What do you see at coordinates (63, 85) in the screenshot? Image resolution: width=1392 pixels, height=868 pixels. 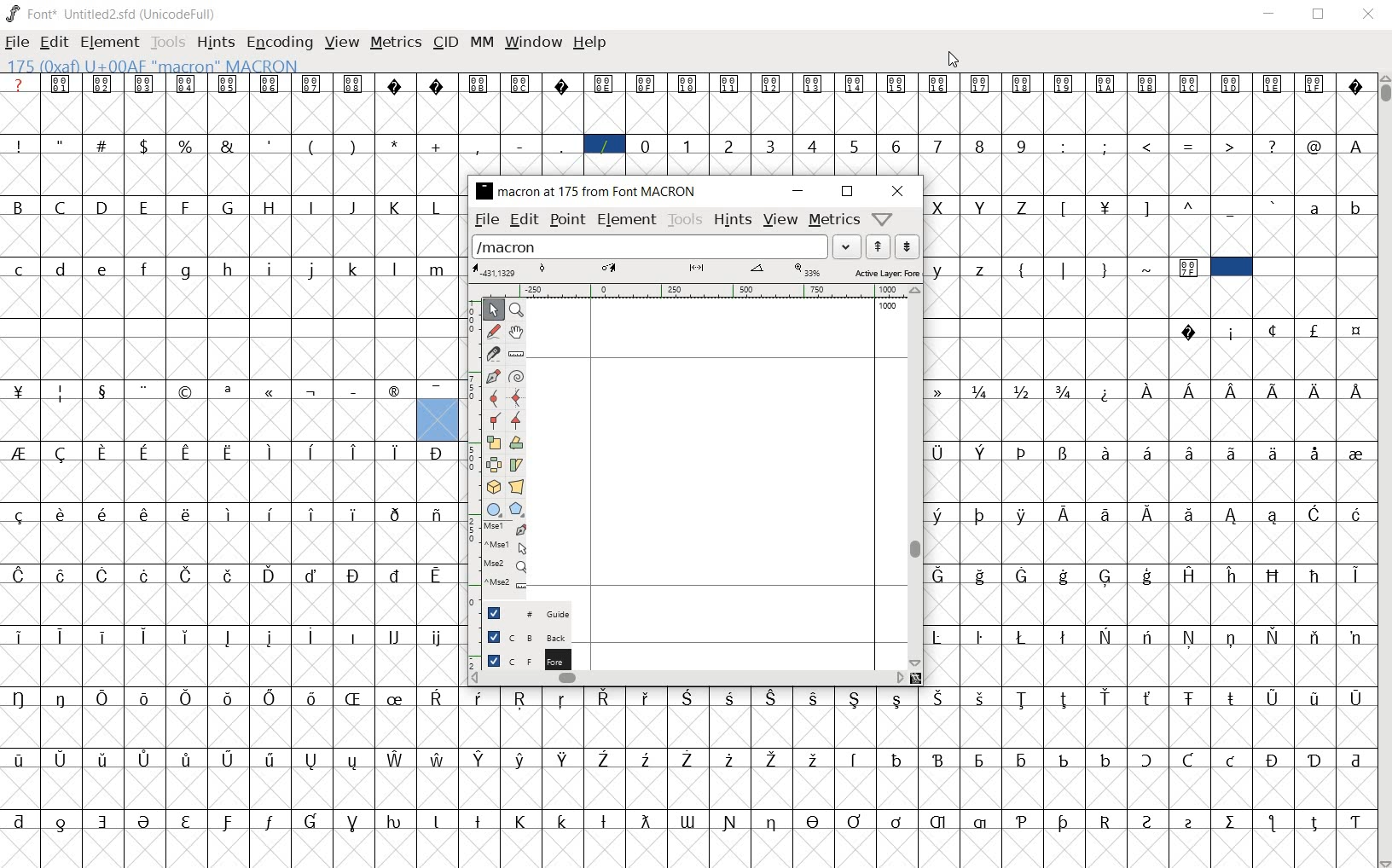 I see `Symbol` at bounding box center [63, 85].